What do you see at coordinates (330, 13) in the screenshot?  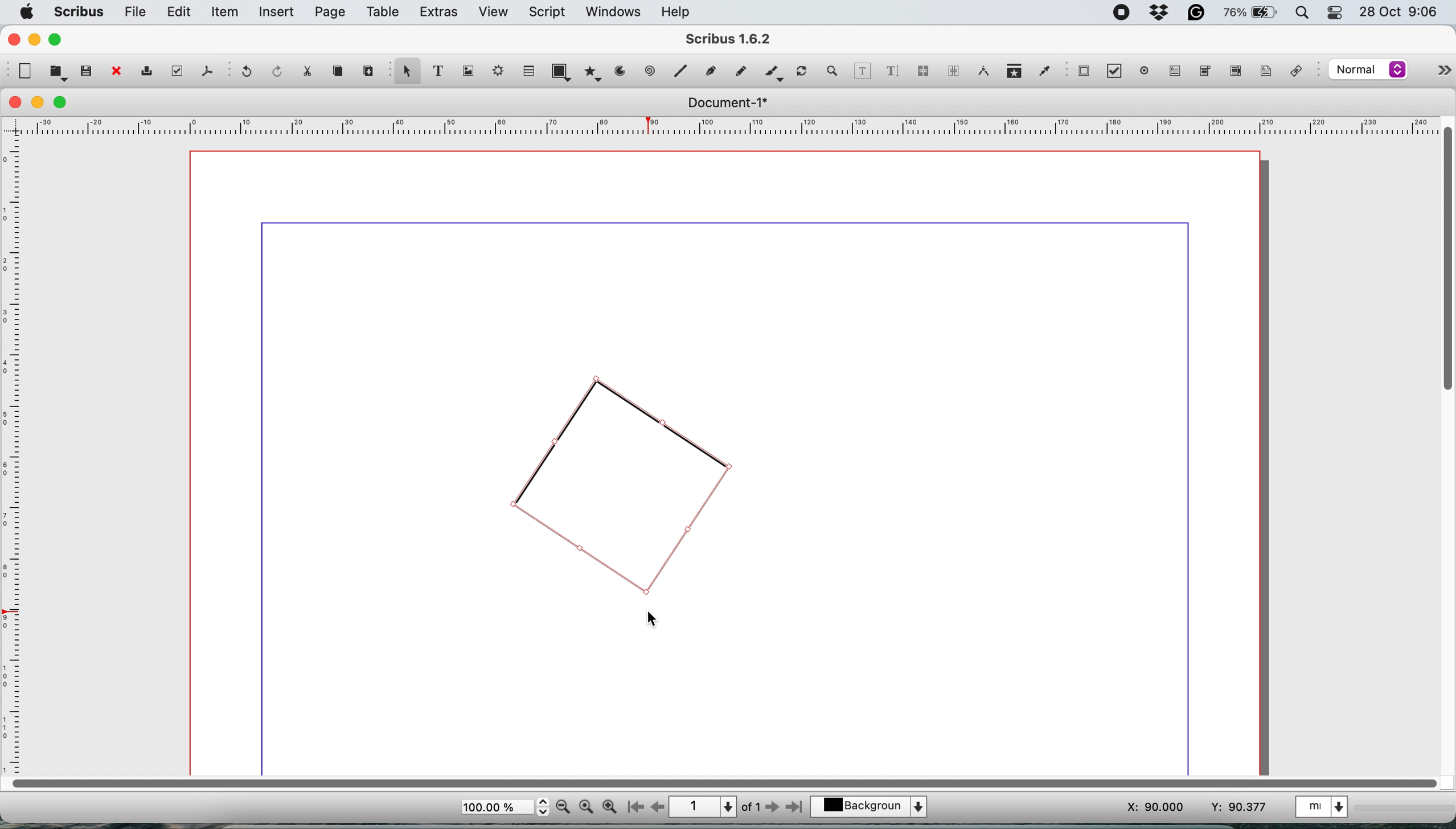 I see `page` at bounding box center [330, 13].